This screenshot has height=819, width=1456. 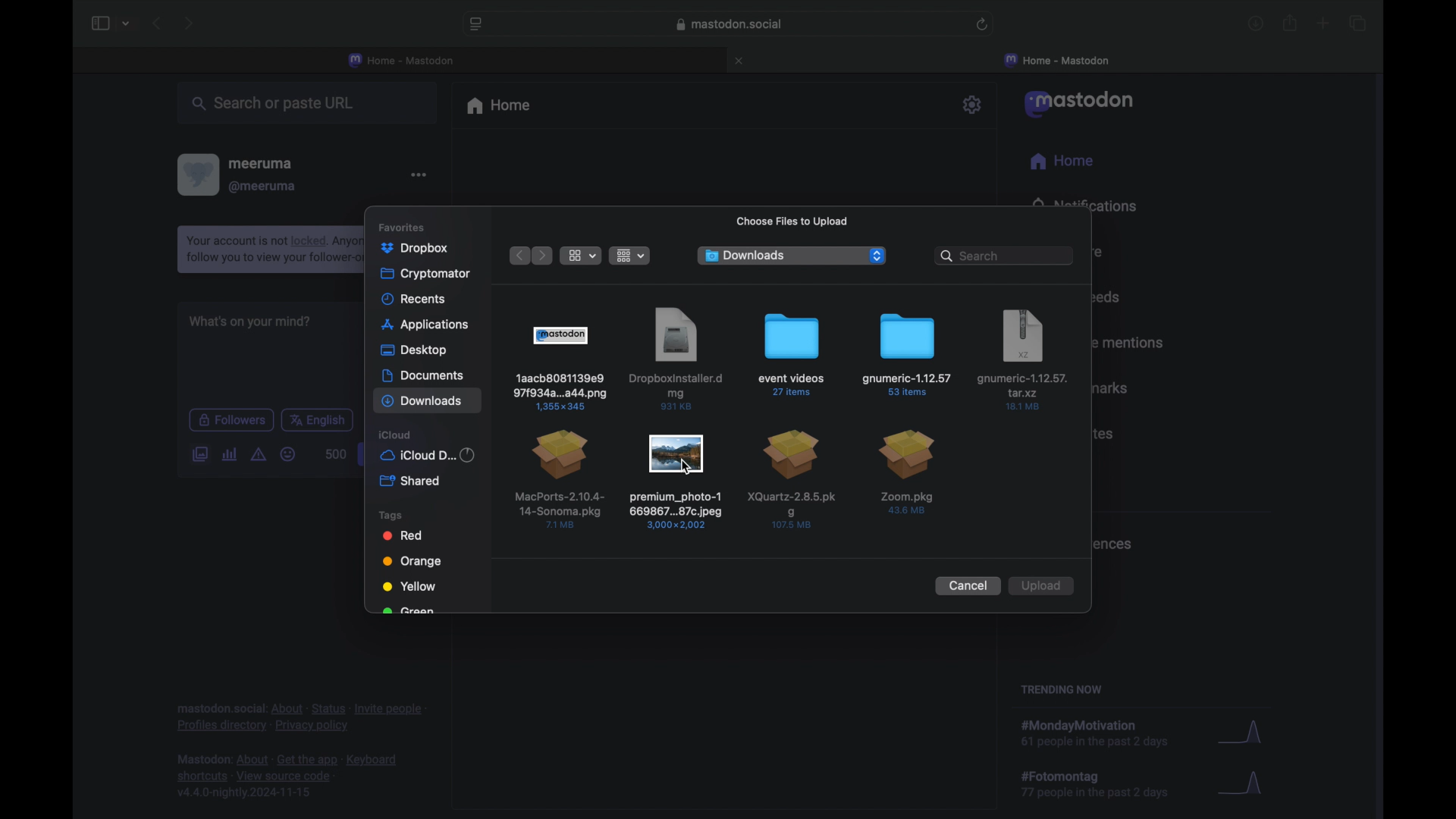 What do you see at coordinates (429, 455) in the screenshot?
I see `iCloud d...` at bounding box center [429, 455].